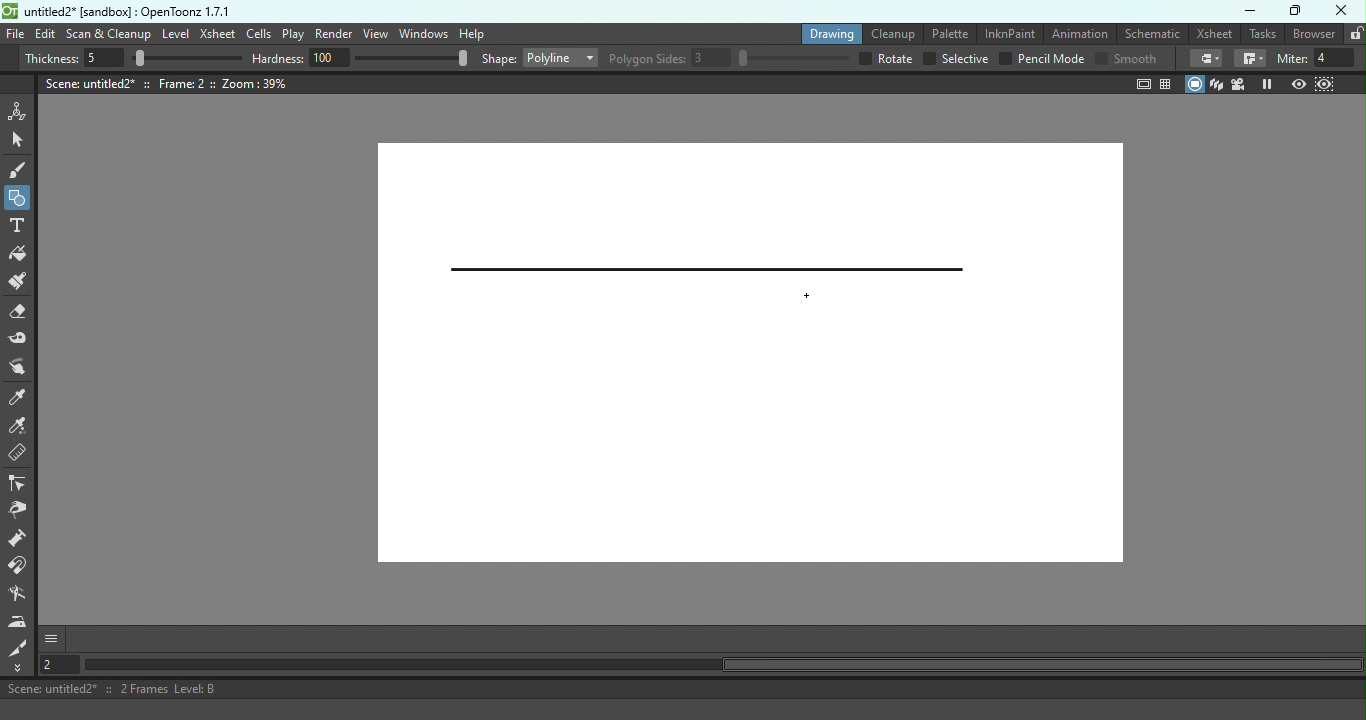 This screenshot has height=720, width=1366. Describe the element at coordinates (1320, 59) in the screenshot. I see `Miter` at that location.